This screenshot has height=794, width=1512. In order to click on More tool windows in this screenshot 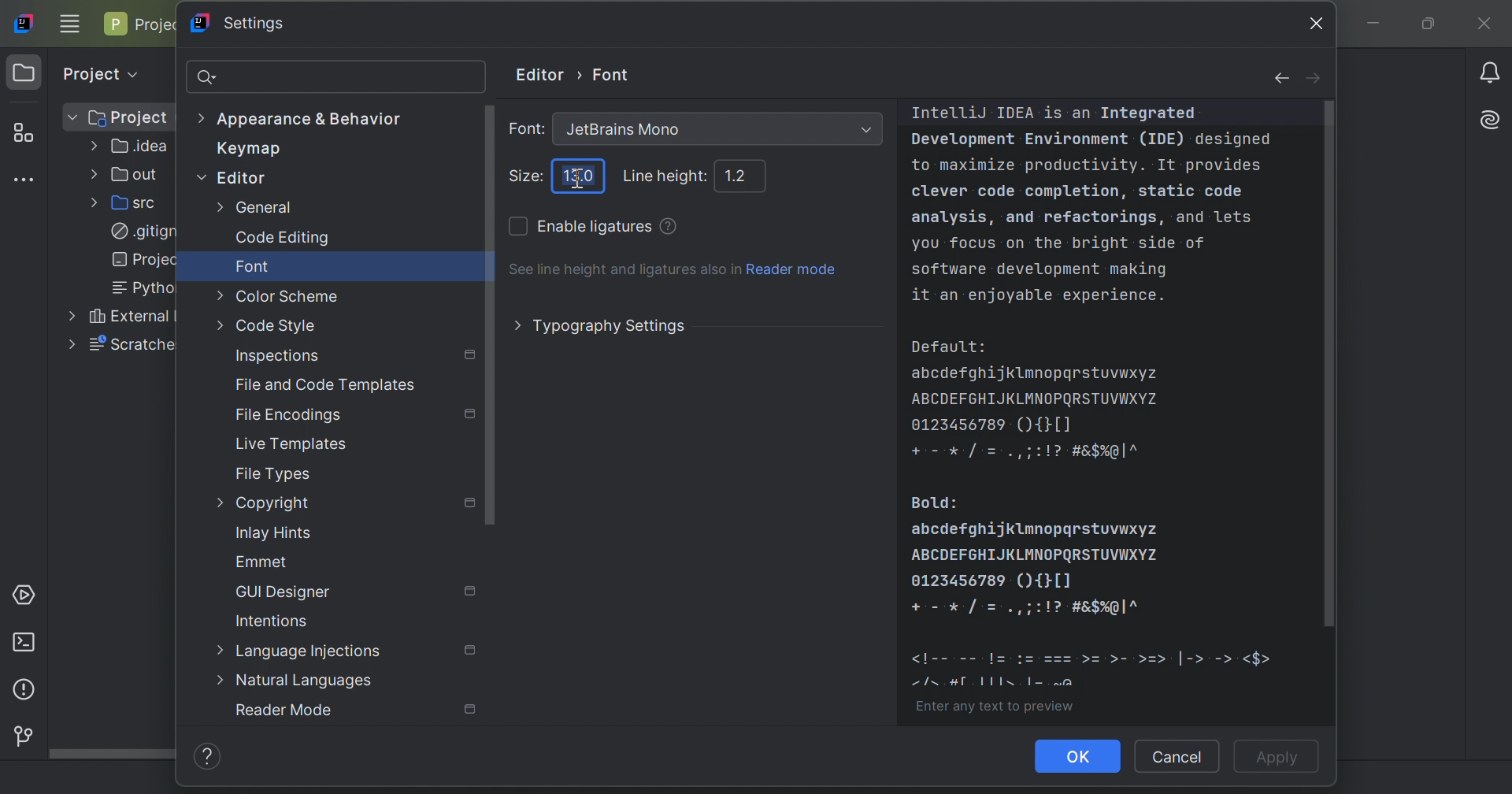, I will do `click(28, 180)`.